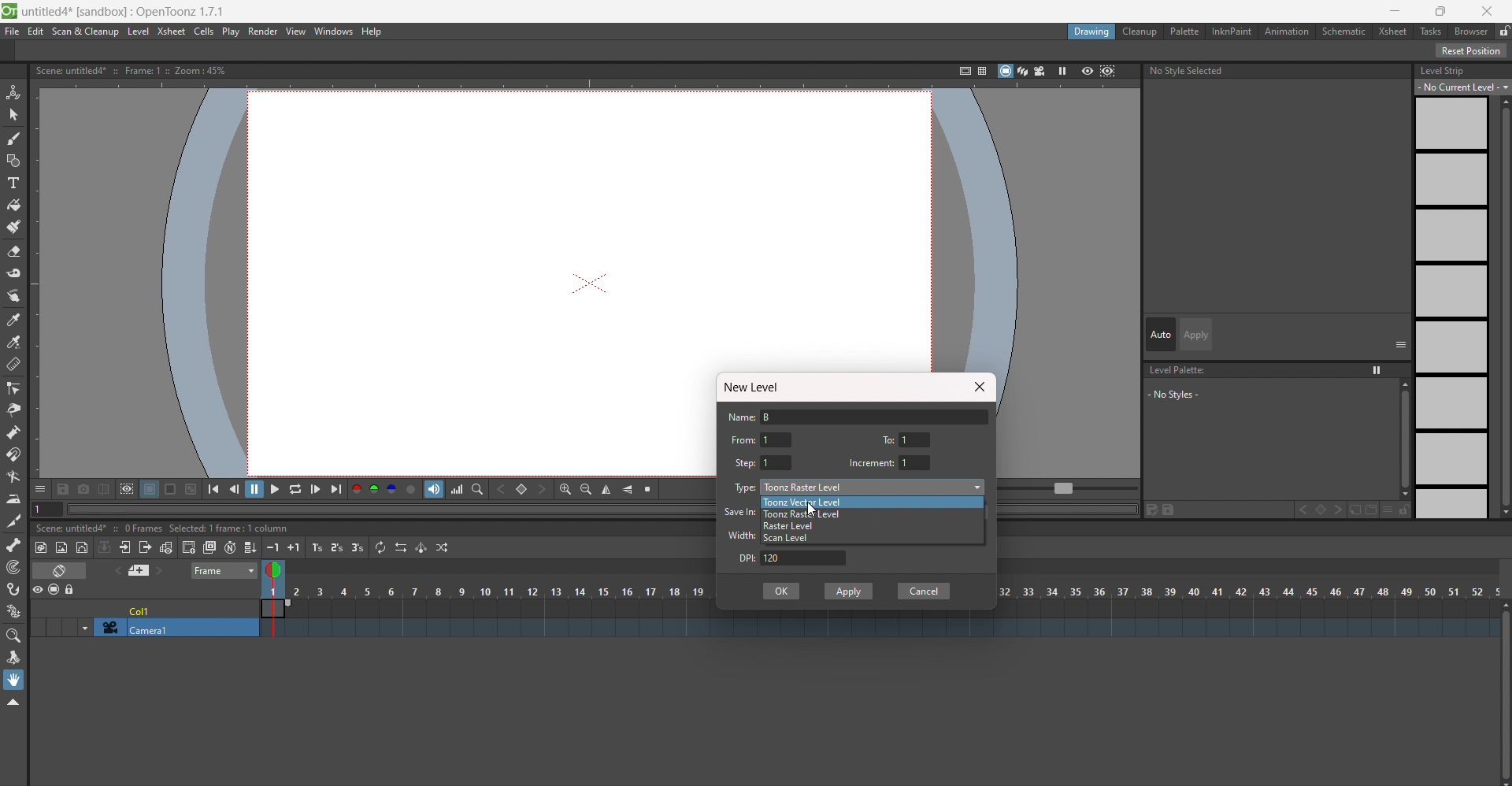  What do you see at coordinates (961, 71) in the screenshot?
I see `safe area` at bounding box center [961, 71].